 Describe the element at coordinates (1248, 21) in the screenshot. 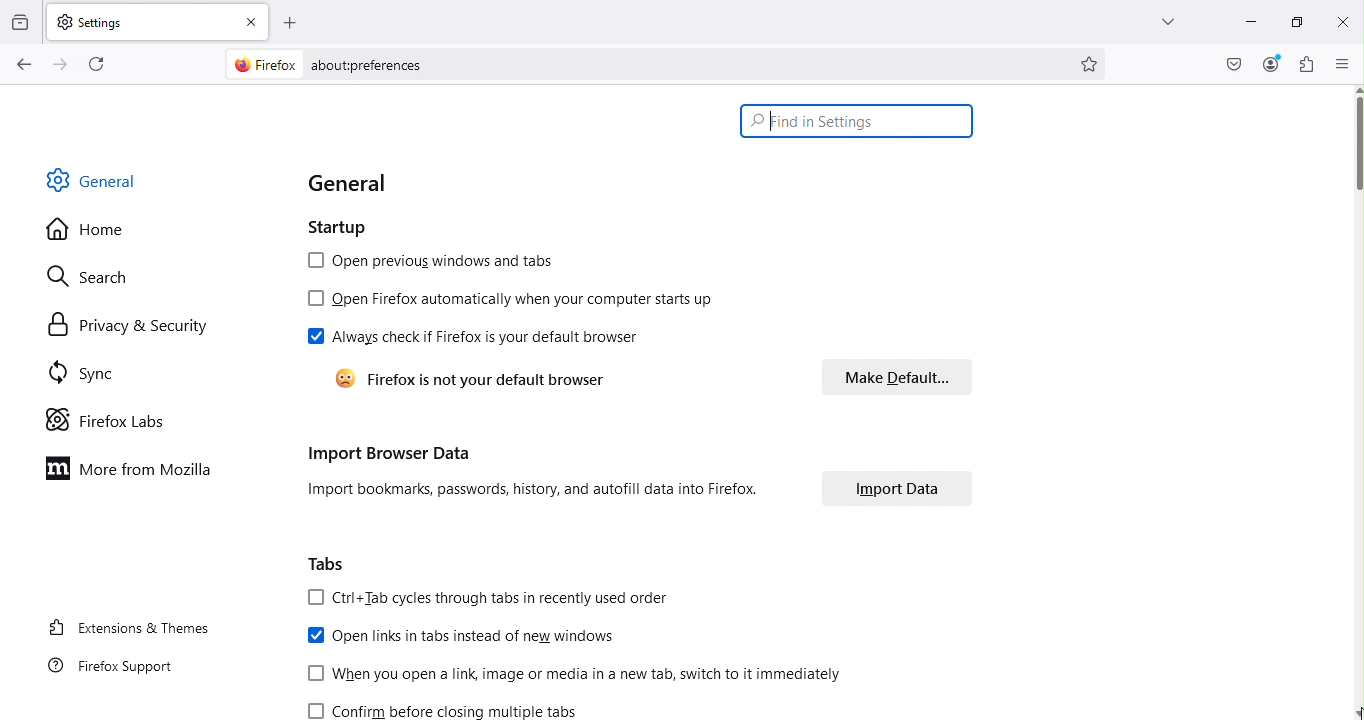

I see `Minimize` at that location.